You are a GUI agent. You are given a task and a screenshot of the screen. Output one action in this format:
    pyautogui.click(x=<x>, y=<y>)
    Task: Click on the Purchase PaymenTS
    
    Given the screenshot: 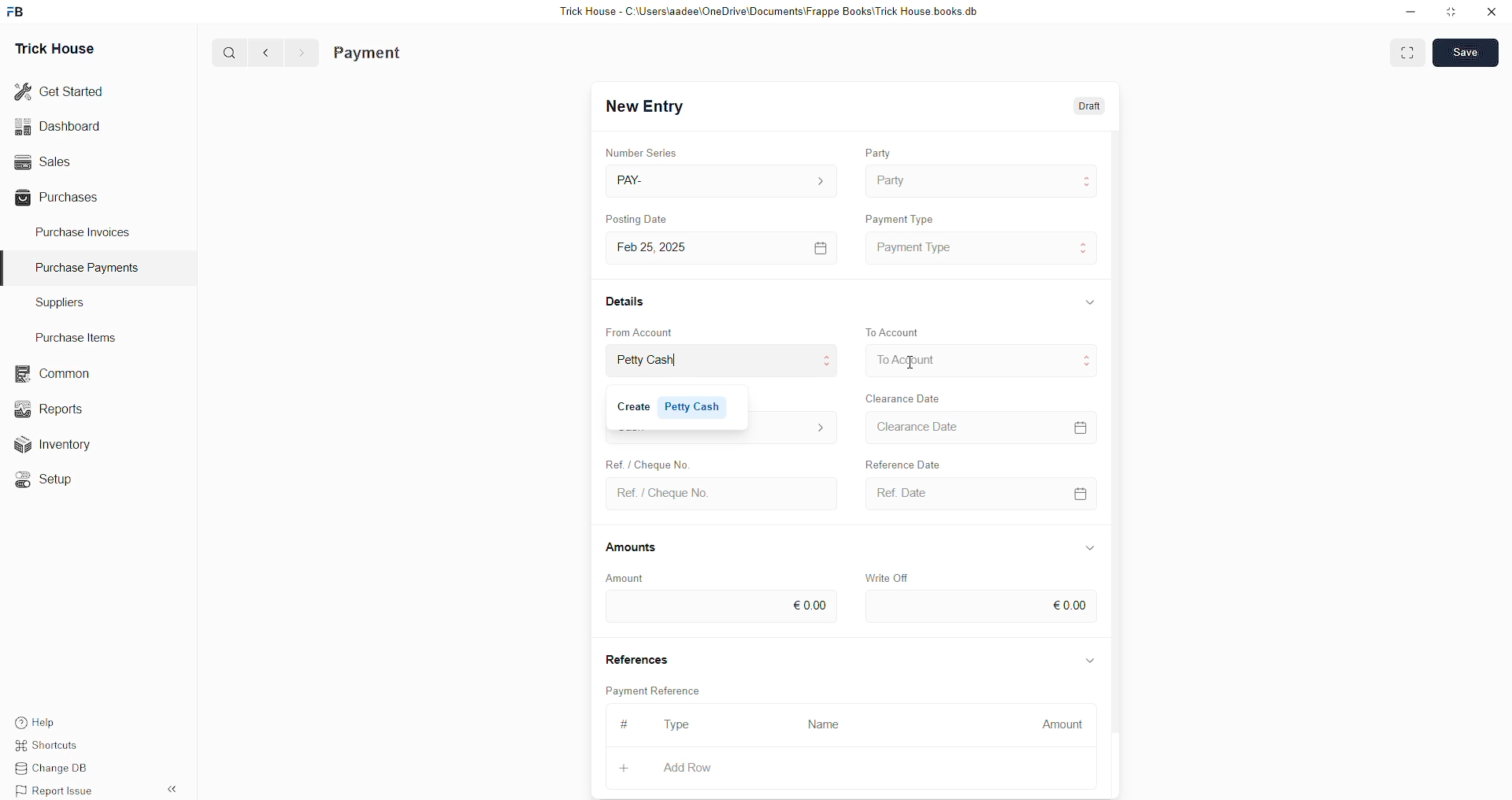 What is the action you would take?
    pyautogui.click(x=83, y=268)
    